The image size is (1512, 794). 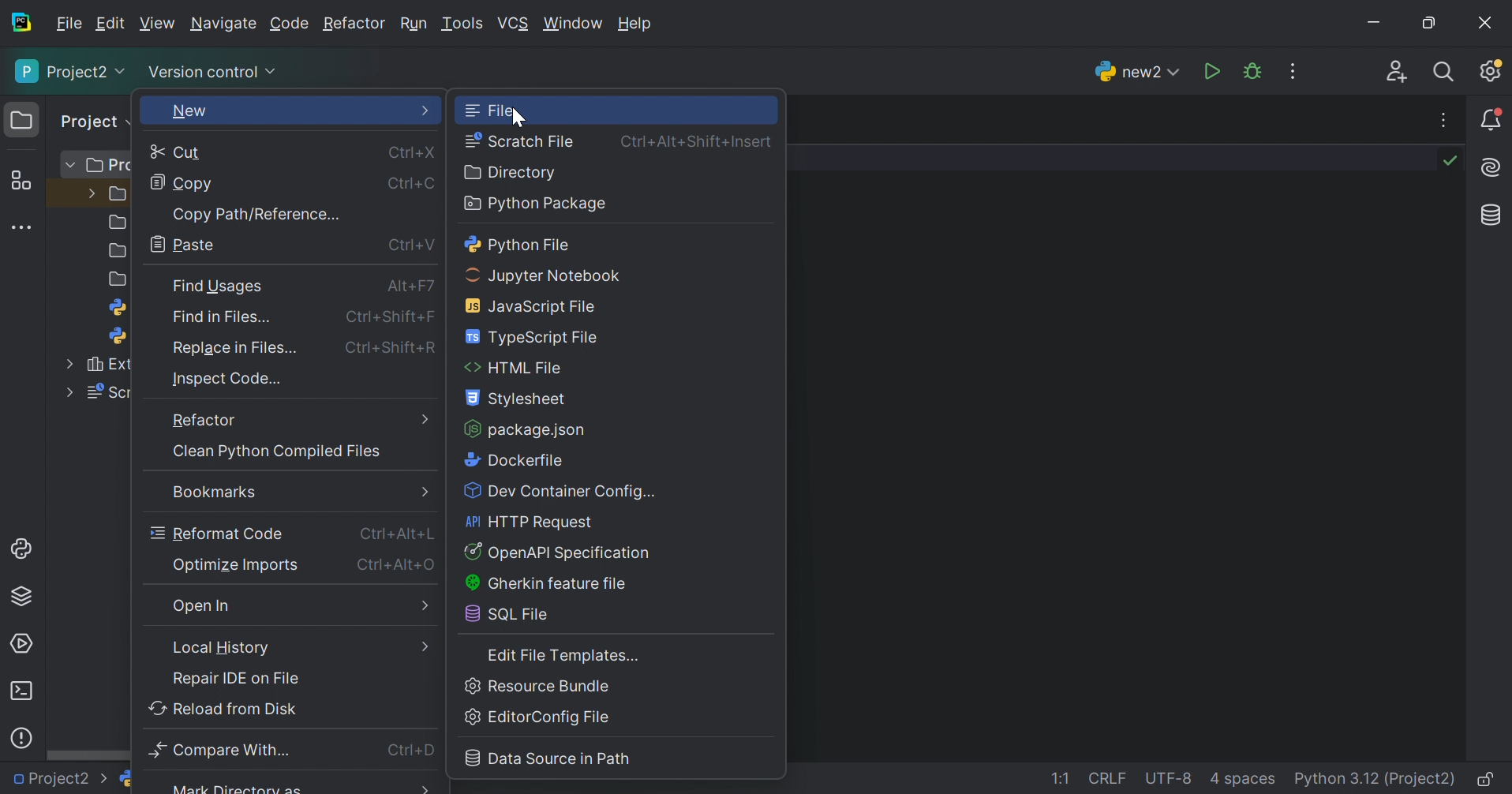 I want to click on Alt+F7, so click(x=409, y=289).